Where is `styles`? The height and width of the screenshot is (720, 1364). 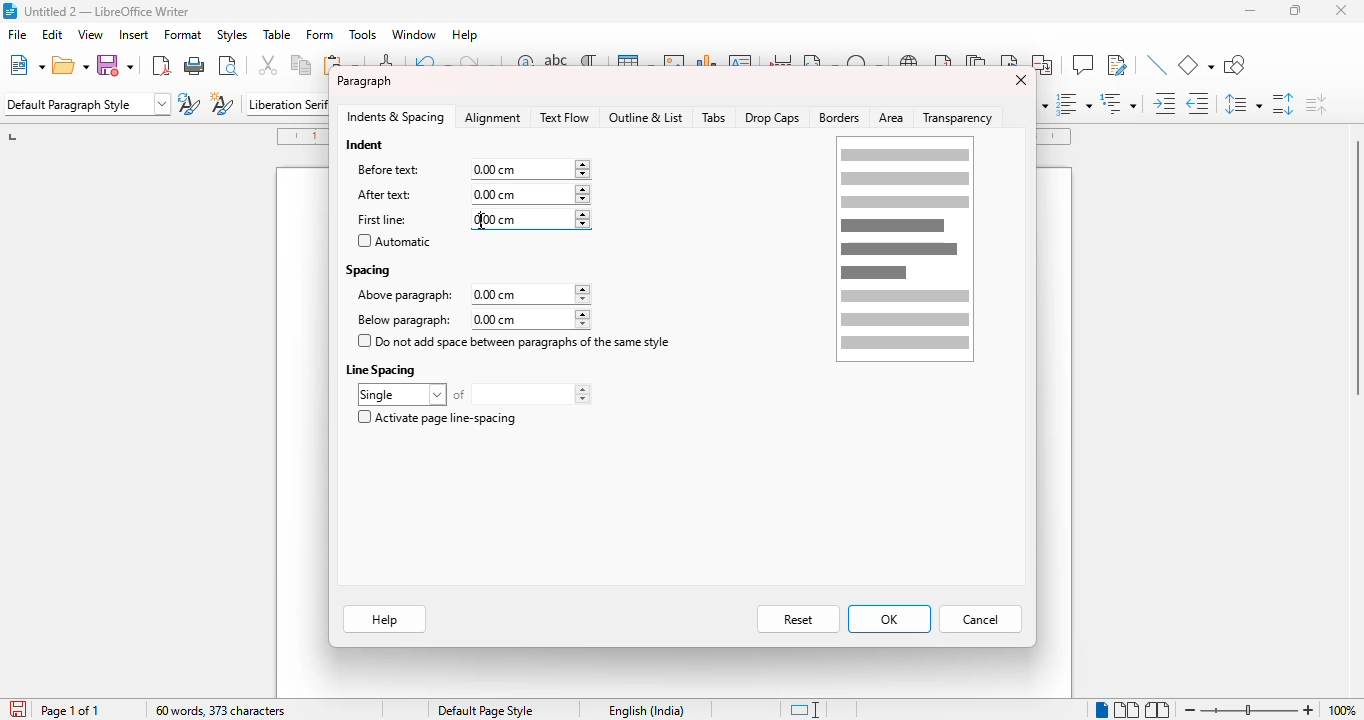 styles is located at coordinates (231, 34).